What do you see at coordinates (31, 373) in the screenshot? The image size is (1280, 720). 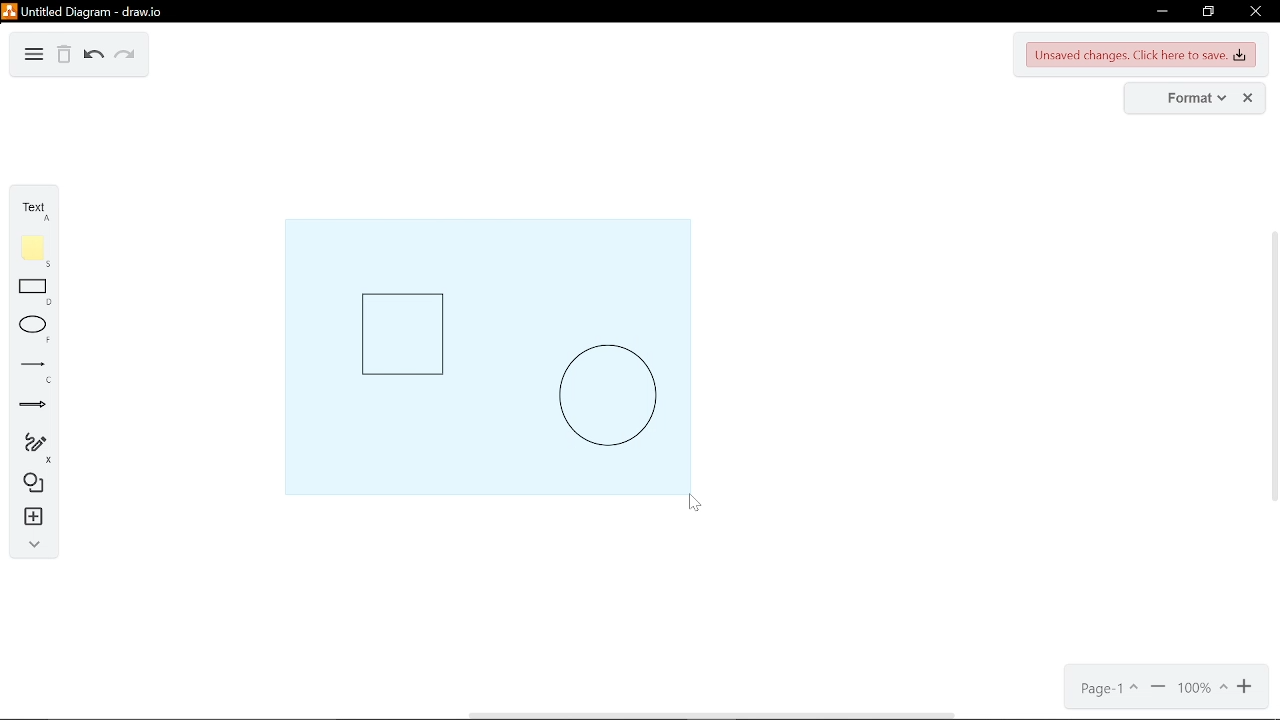 I see `line` at bounding box center [31, 373].